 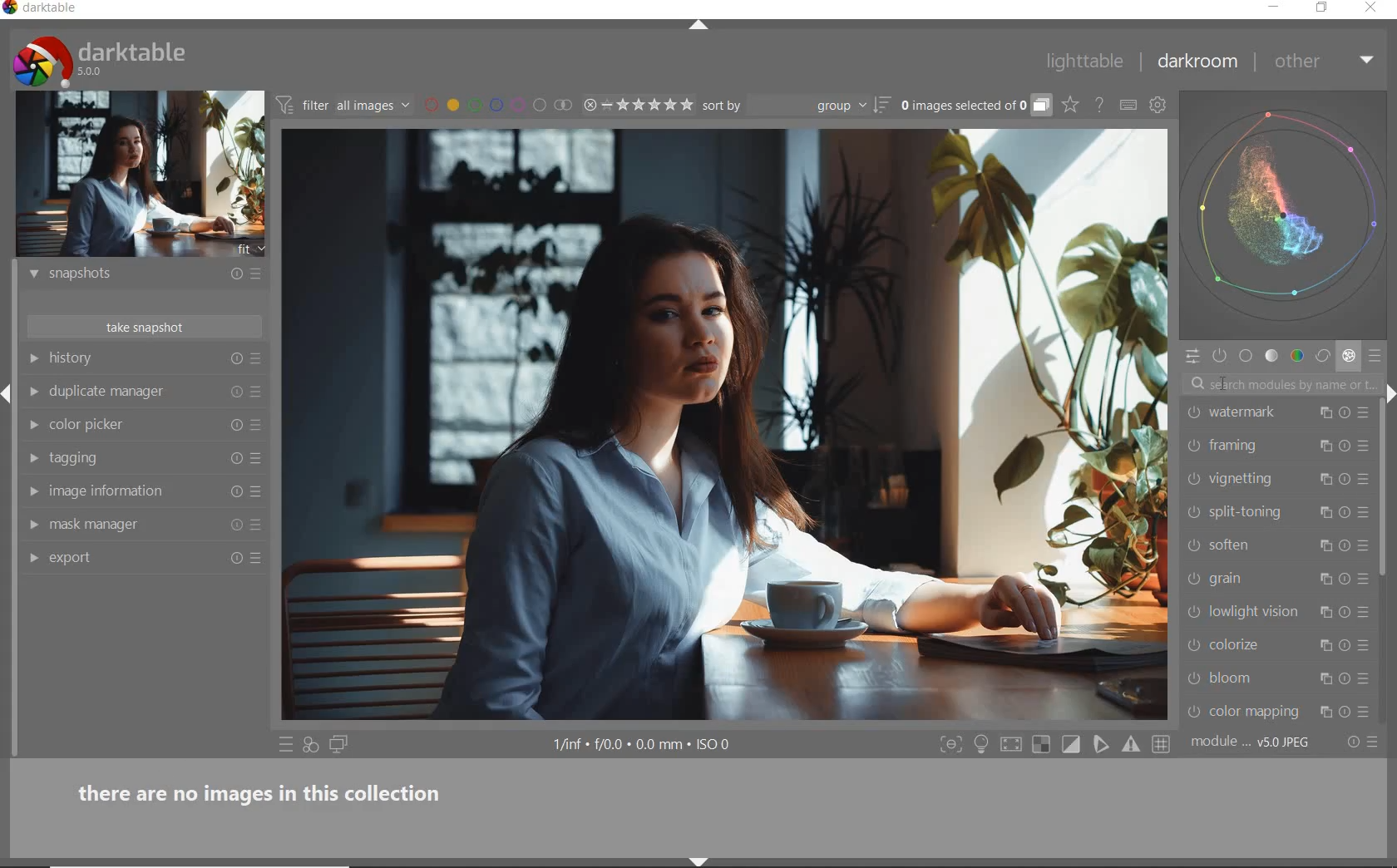 What do you see at coordinates (1194, 512) in the screenshot?
I see `'split-toning' is switched off` at bounding box center [1194, 512].